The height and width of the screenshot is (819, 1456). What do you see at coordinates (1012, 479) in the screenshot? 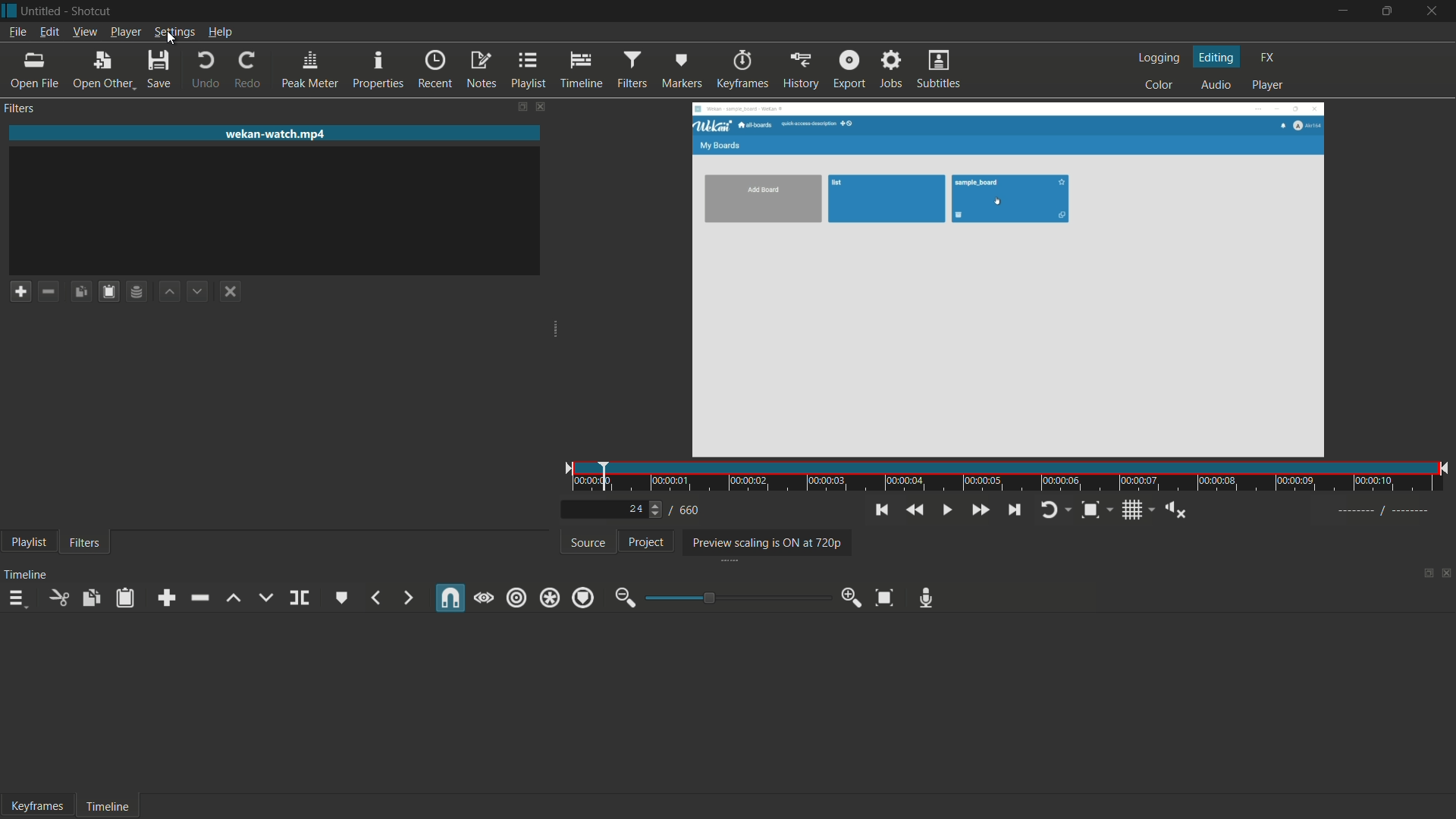
I see `time` at bounding box center [1012, 479].